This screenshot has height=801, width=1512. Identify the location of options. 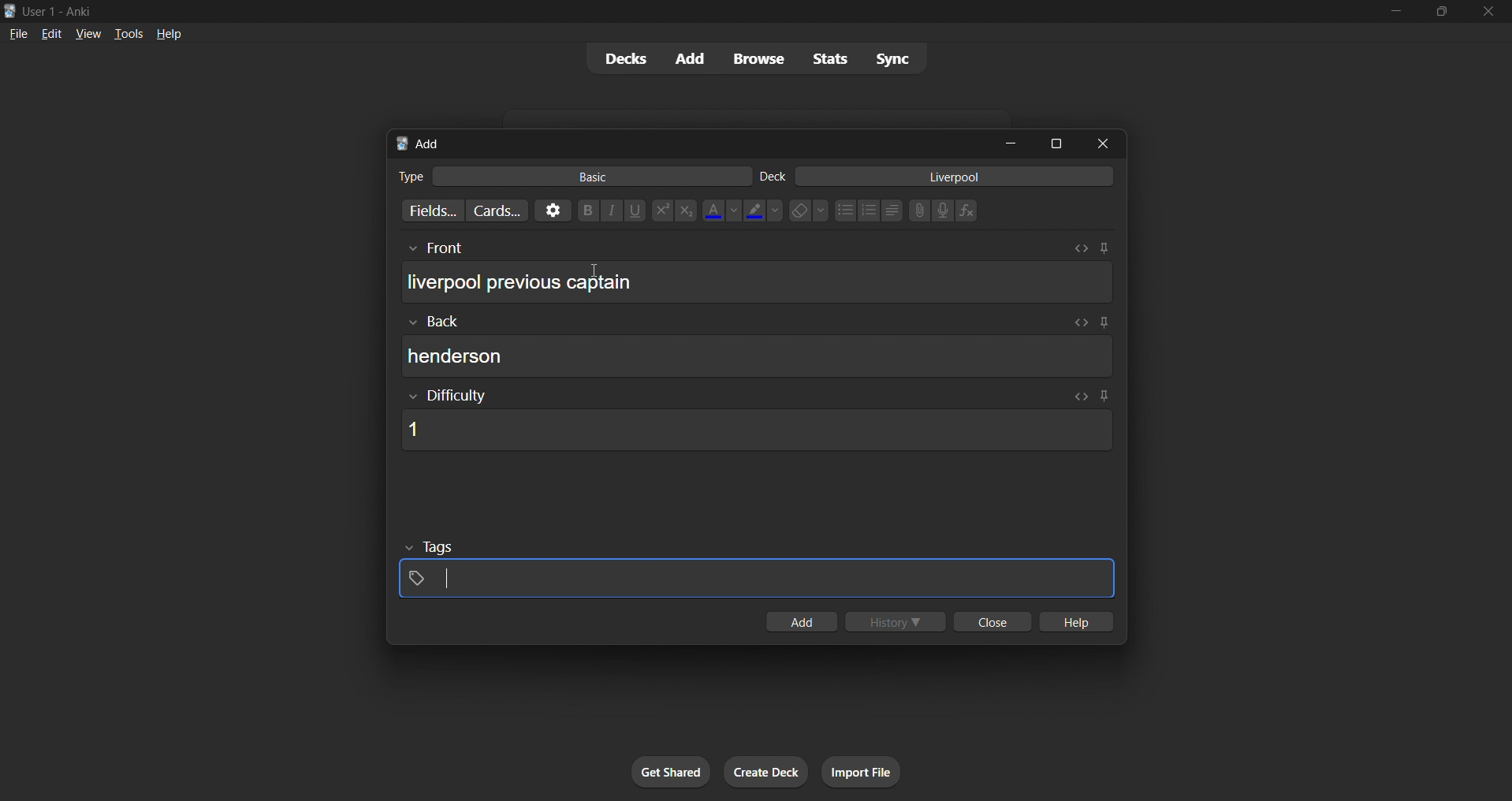
(550, 210).